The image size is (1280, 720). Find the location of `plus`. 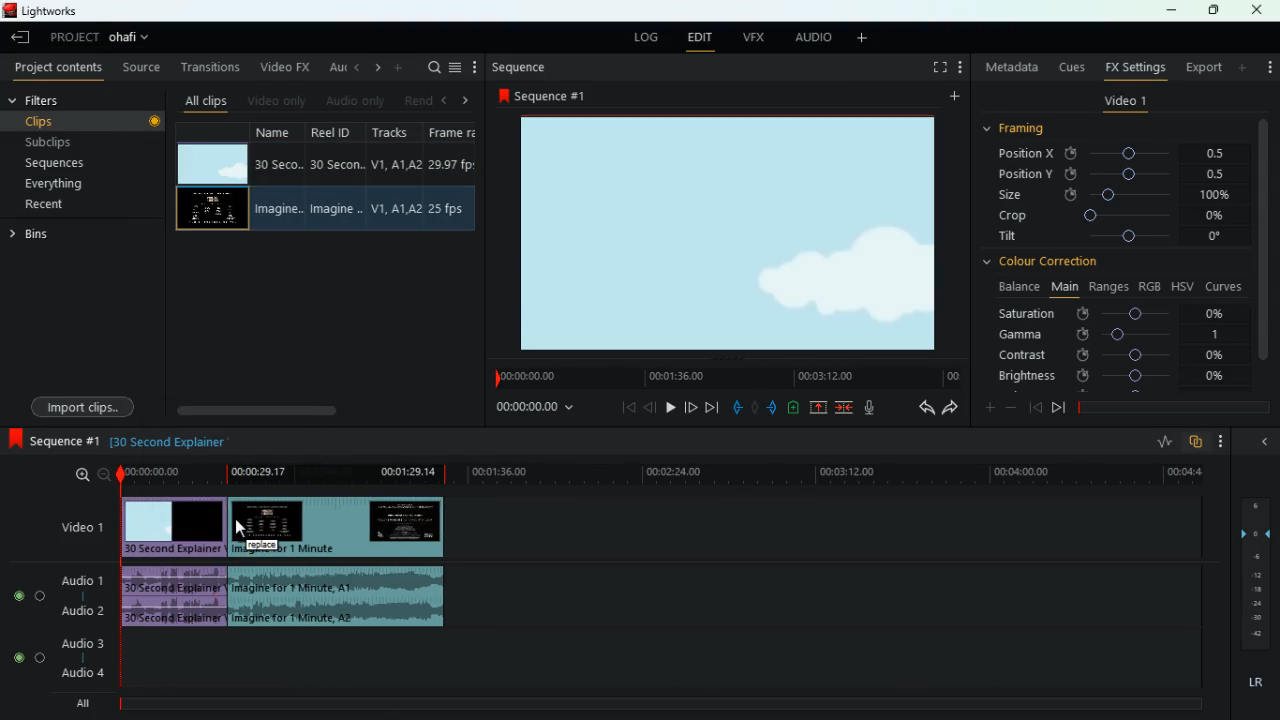

plus is located at coordinates (987, 409).